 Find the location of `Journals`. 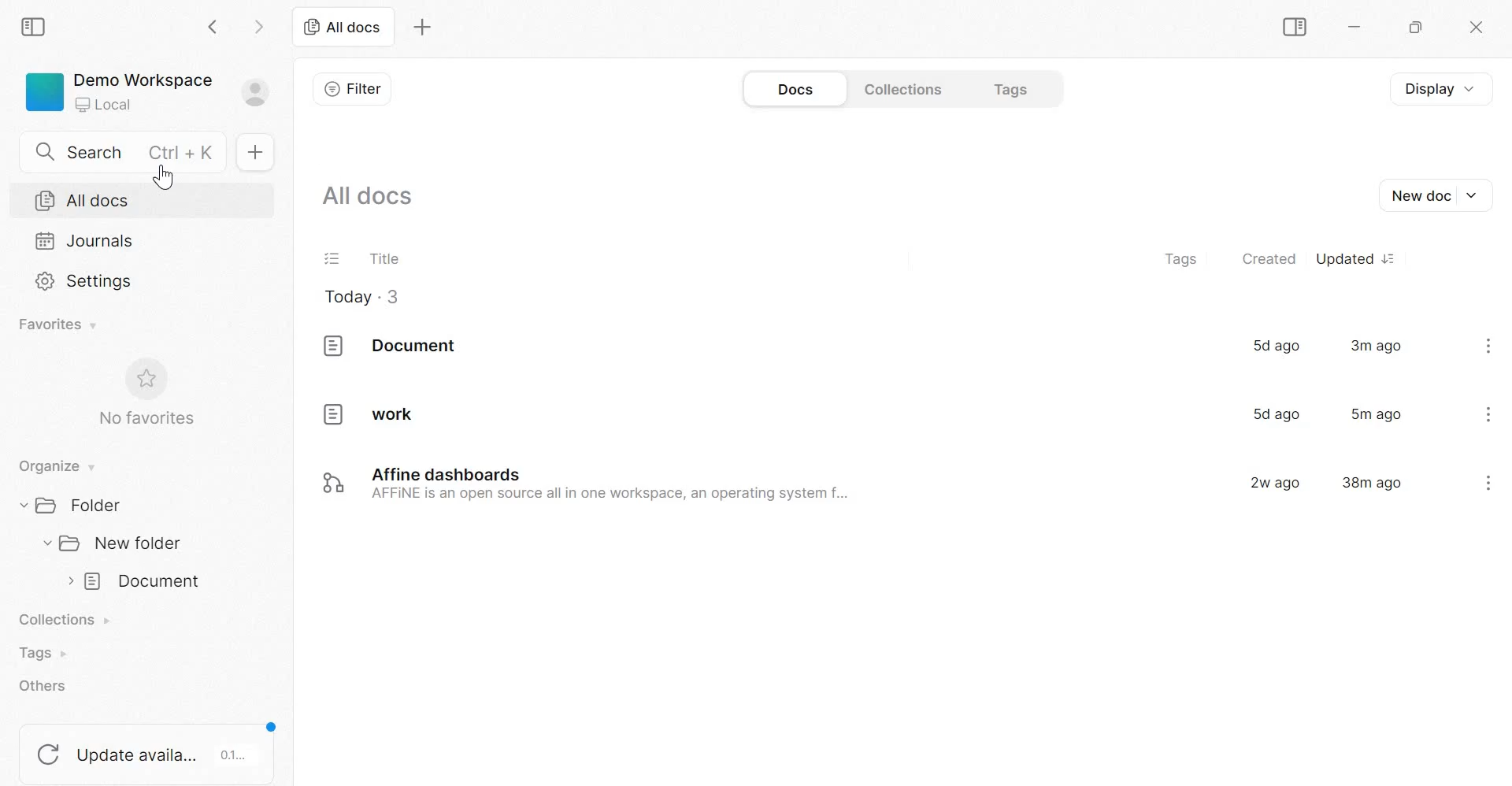

Journals is located at coordinates (85, 240).